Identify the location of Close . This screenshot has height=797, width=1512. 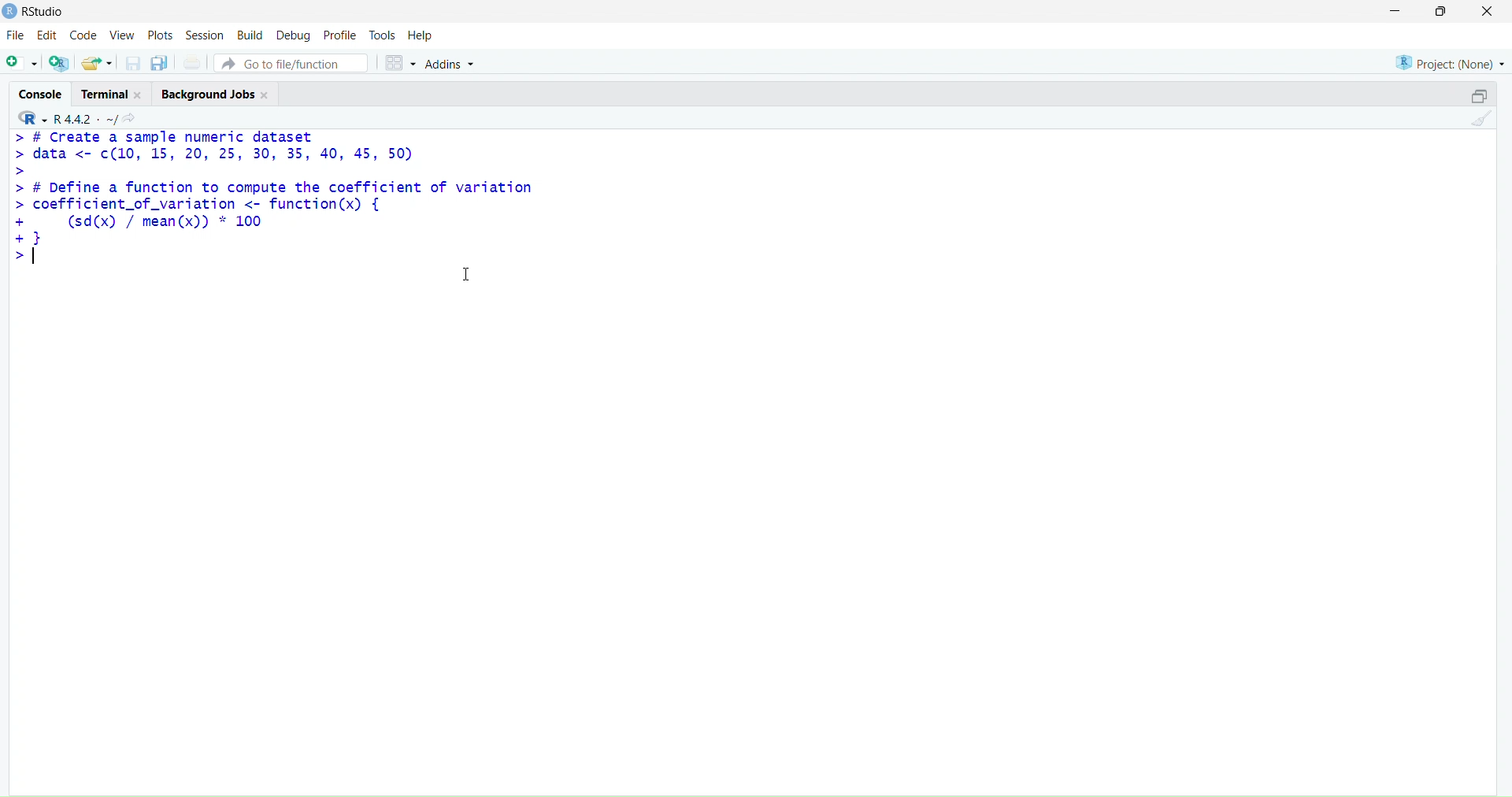
(139, 95).